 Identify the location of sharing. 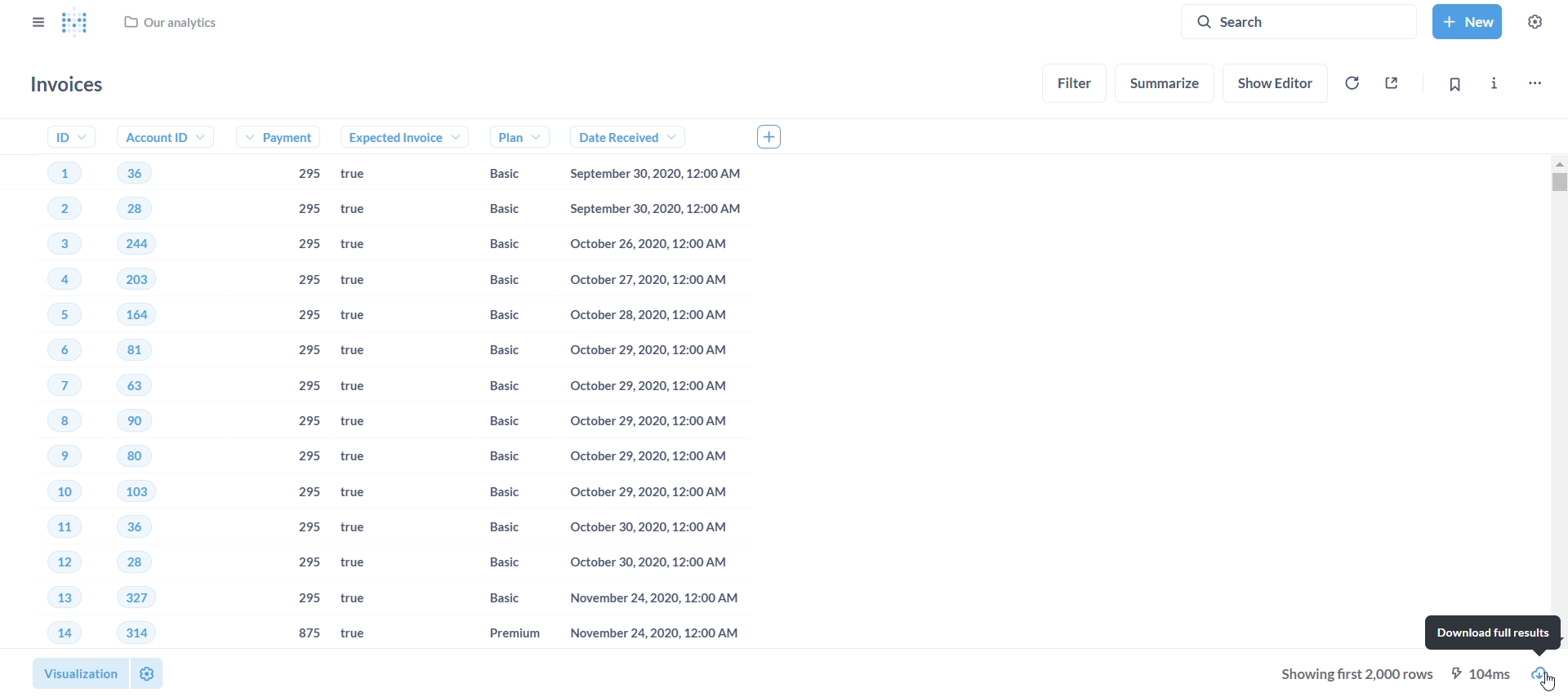
(1393, 81).